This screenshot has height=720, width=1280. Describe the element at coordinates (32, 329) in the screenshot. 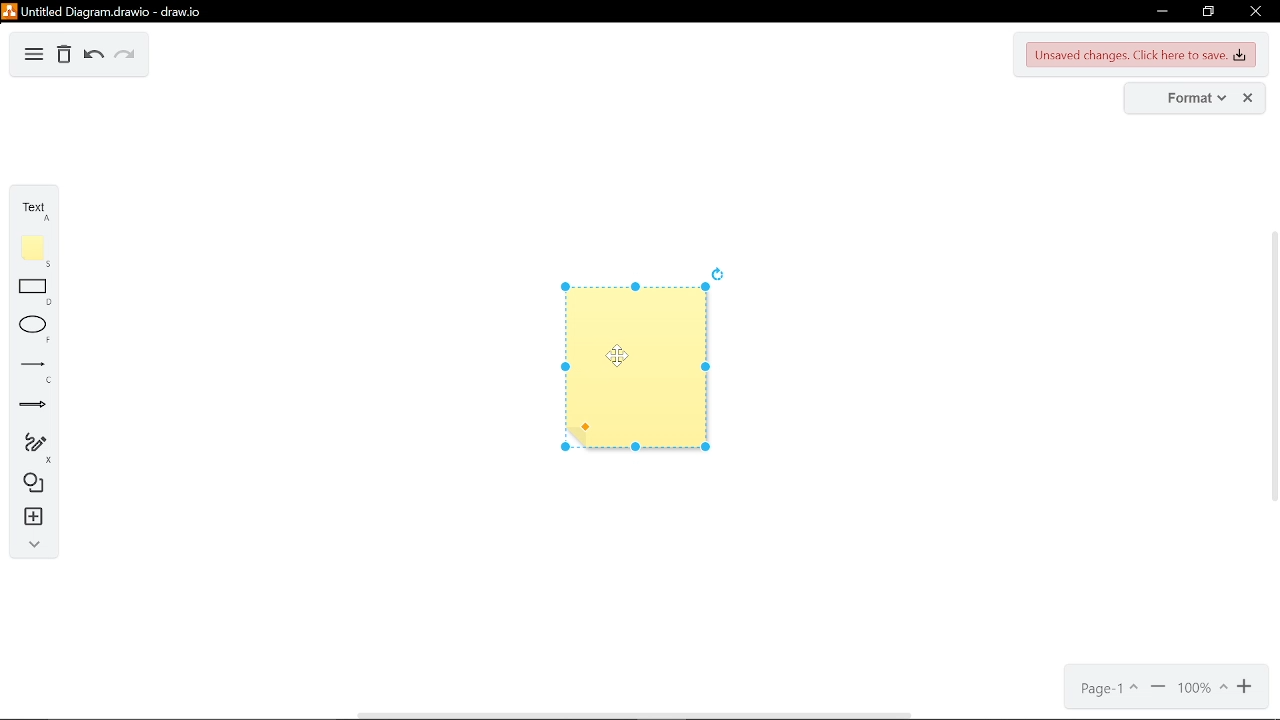

I see `ellipse` at that location.